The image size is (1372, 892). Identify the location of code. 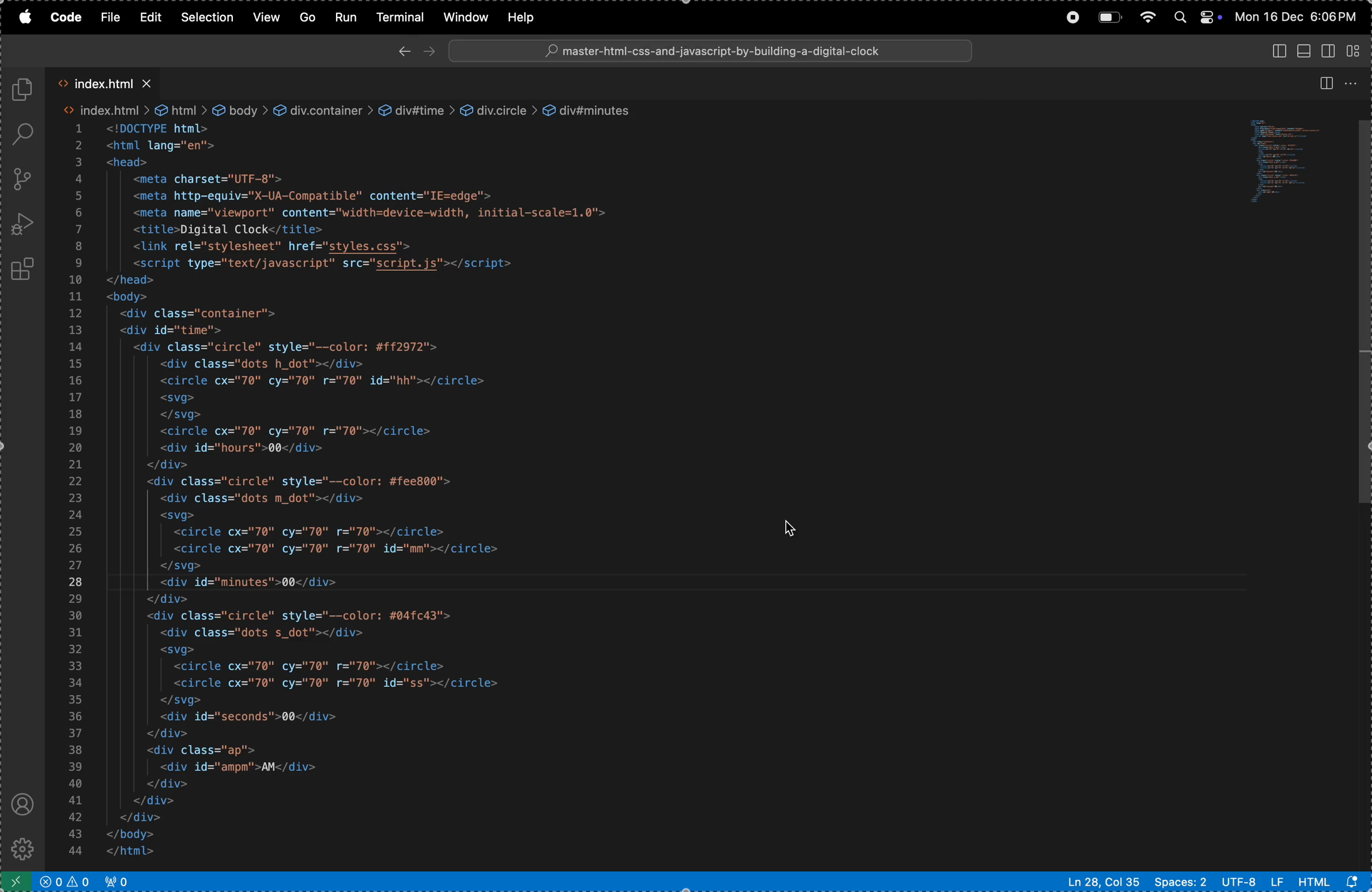
(66, 18).